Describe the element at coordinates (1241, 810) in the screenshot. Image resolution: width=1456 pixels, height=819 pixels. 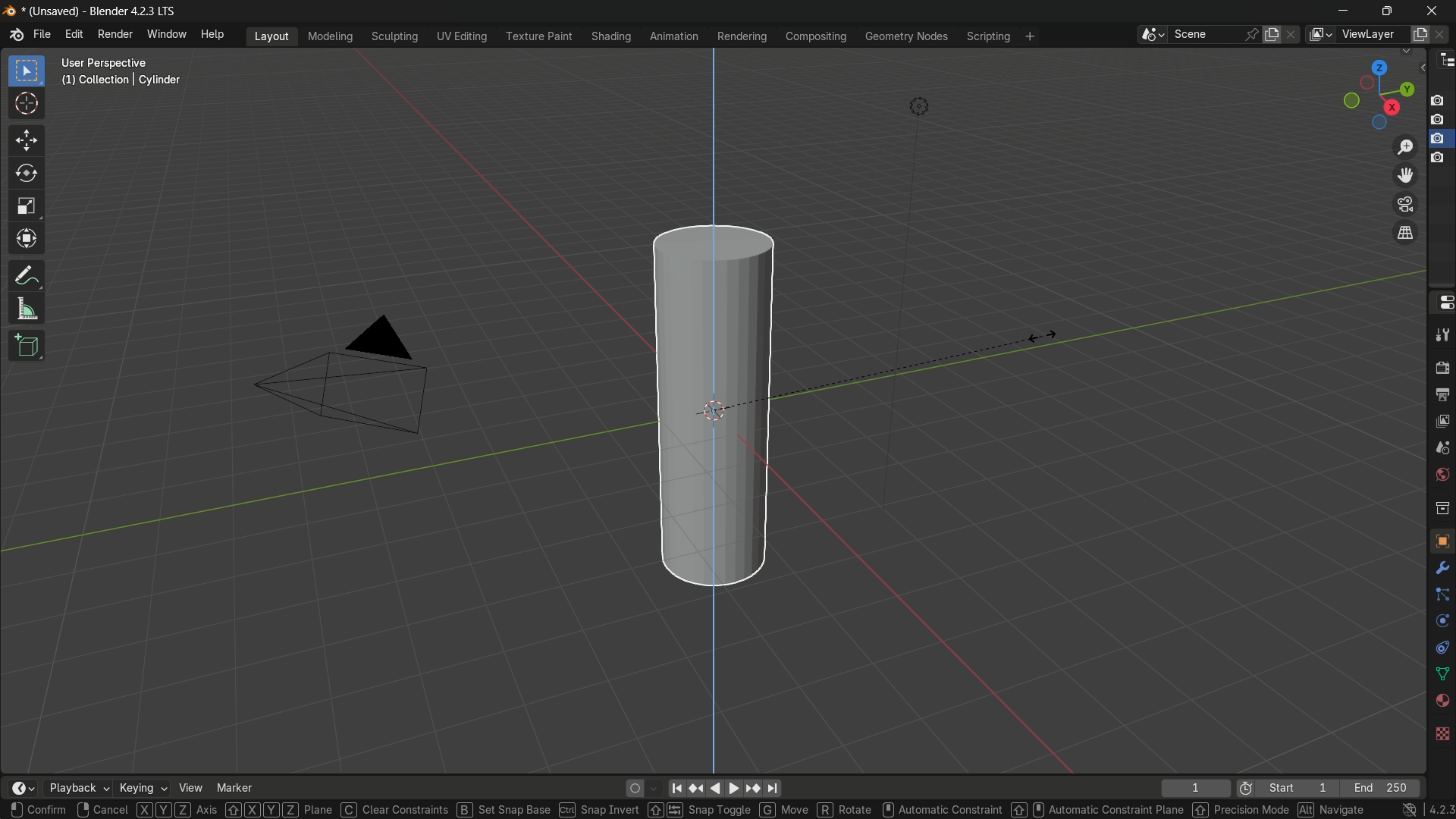
I see `hold shift for Precision mode` at that location.